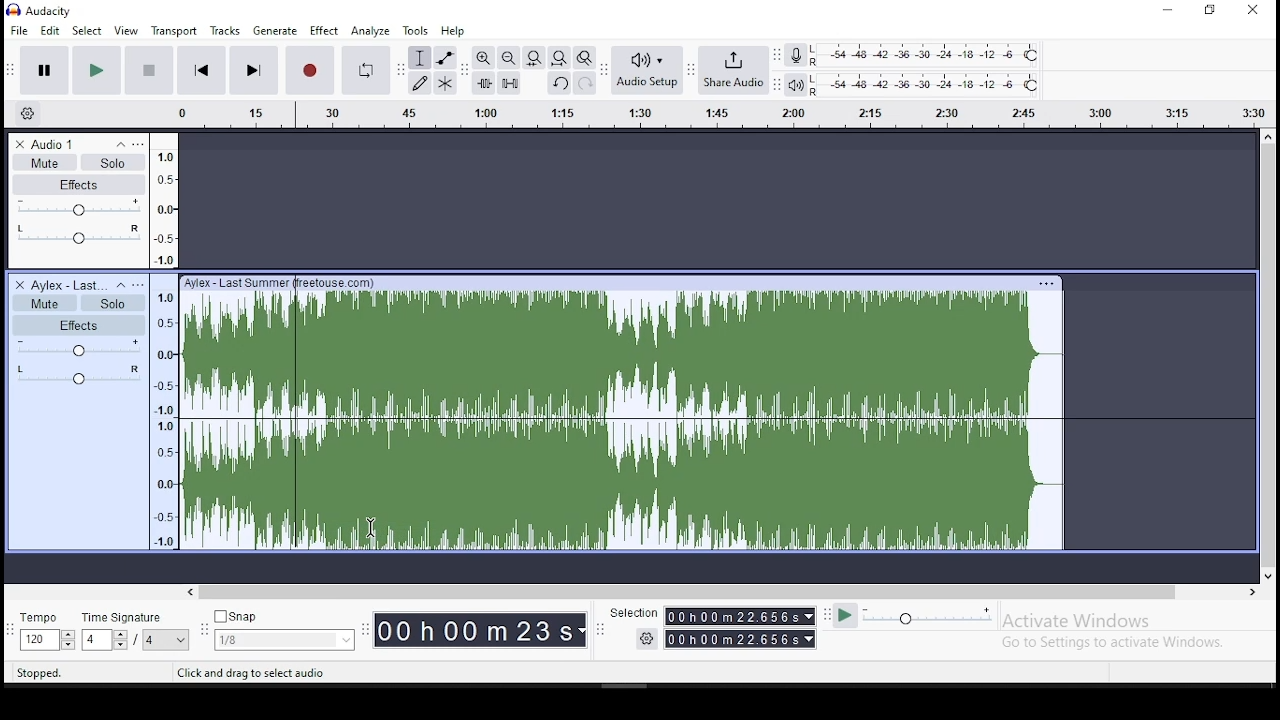 The height and width of the screenshot is (720, 1280). Describe the element at coordinates (32, 114) in the screenshot. I see `timeline options` at that location.